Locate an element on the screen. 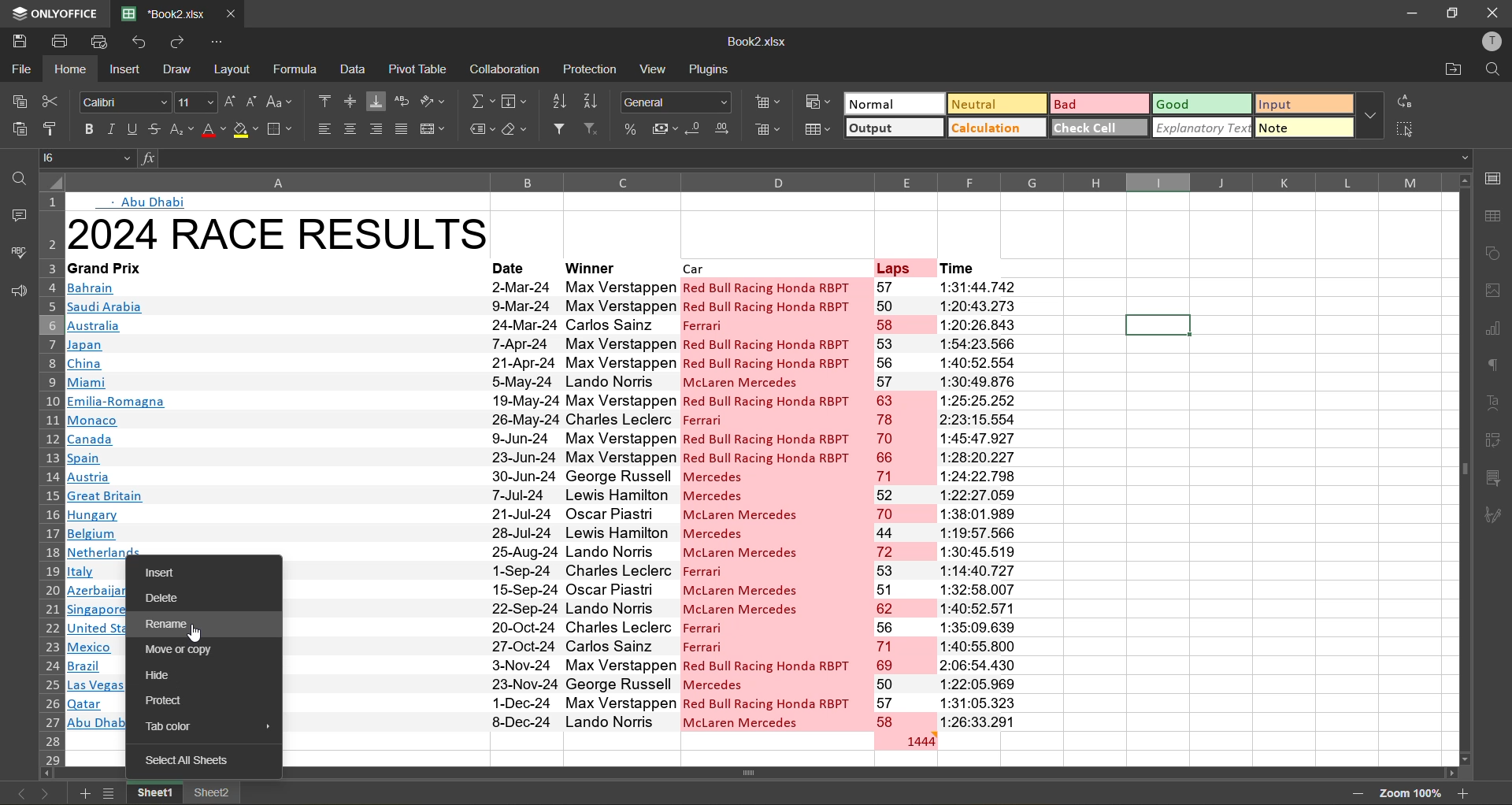 The width and height of the screenshot is (1512, 805). car is located at coordinates (774, 266).